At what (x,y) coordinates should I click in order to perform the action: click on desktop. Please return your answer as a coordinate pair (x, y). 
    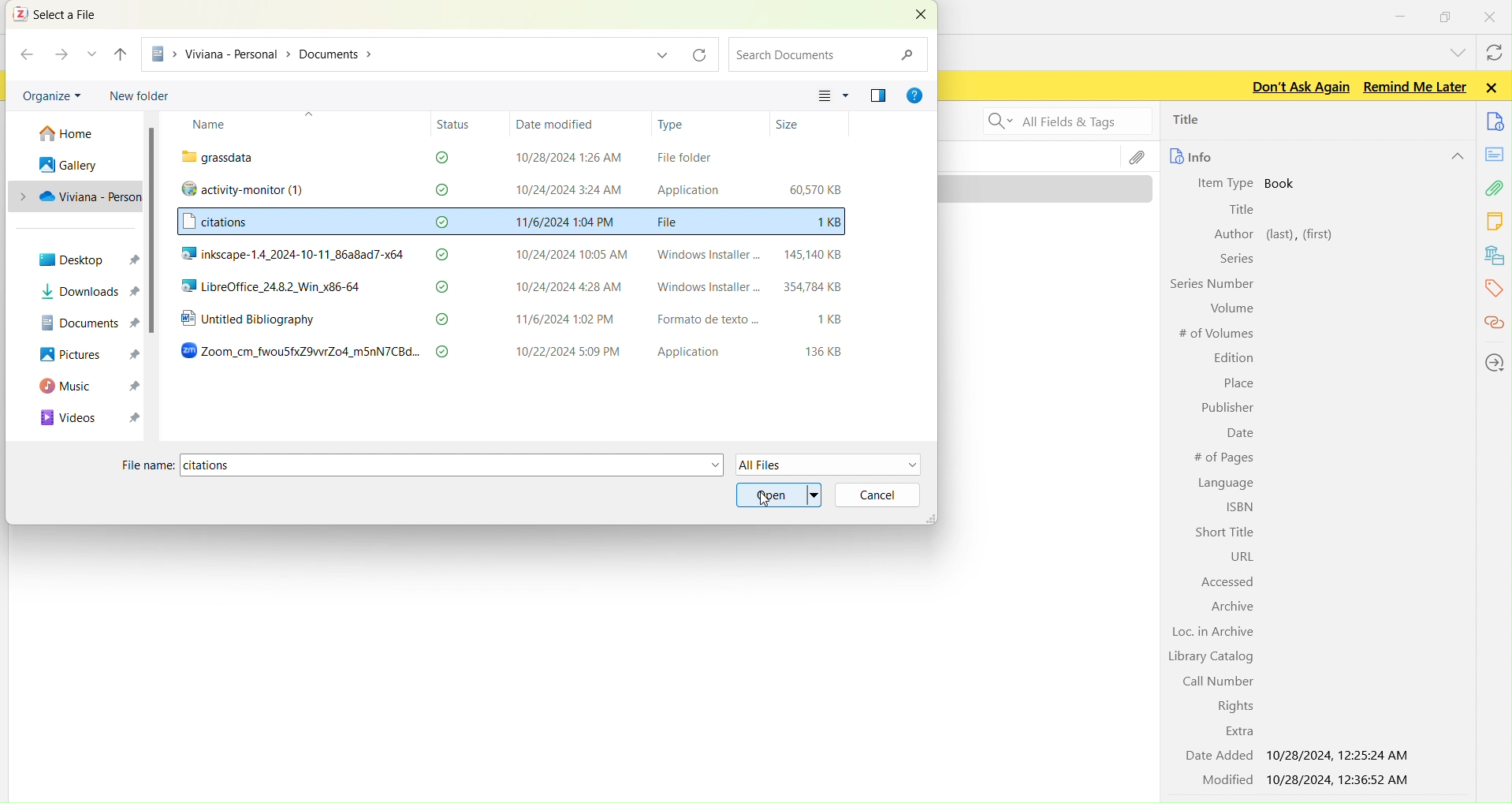
    Looking at the image, I should click on (76, 261).